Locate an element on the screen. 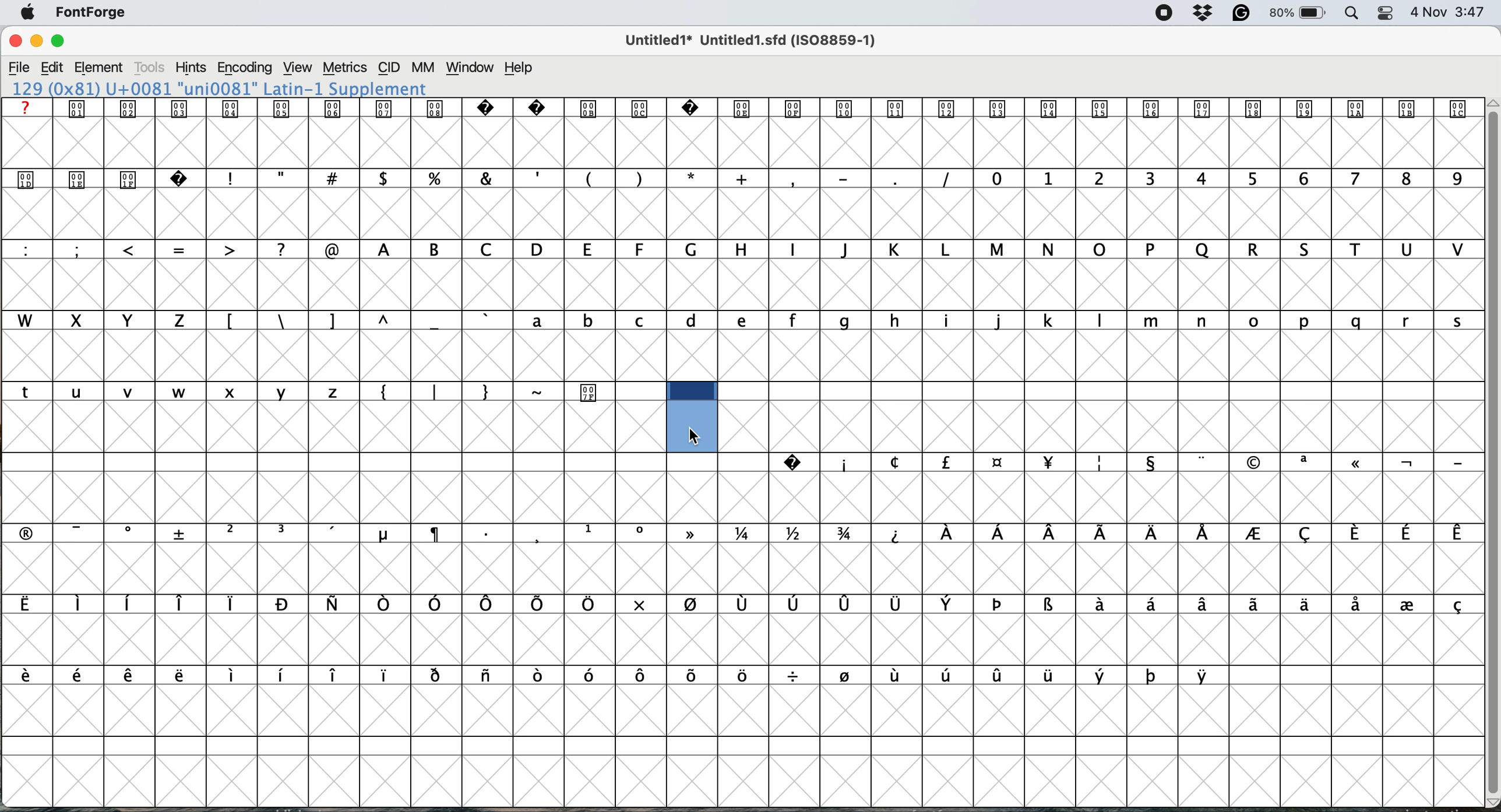 The image size is (1501, 812). FontForge is located at coordinates (91, 16).